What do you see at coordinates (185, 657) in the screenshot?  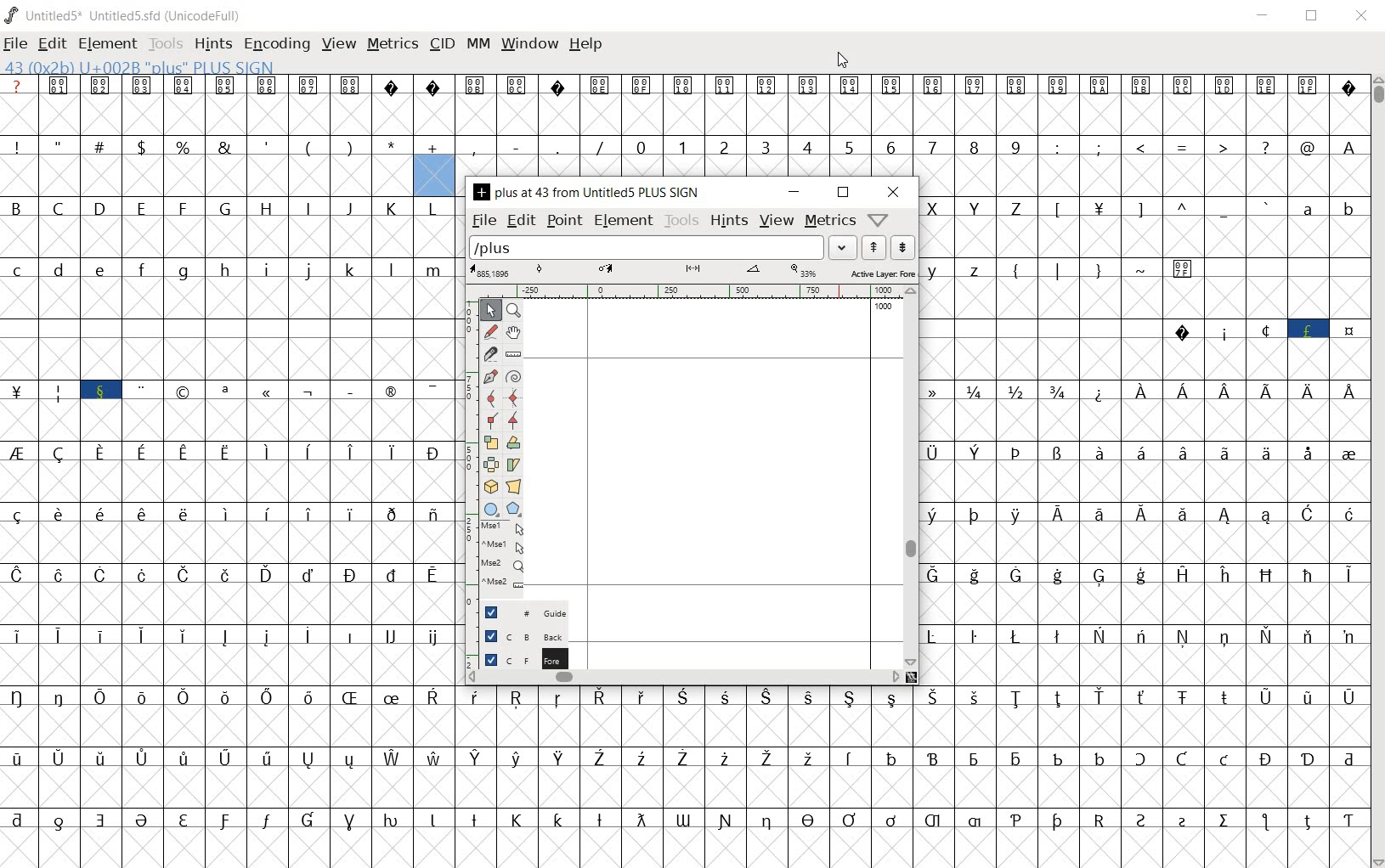 I see `Latin extended characters` at bounding box center [185, 657].